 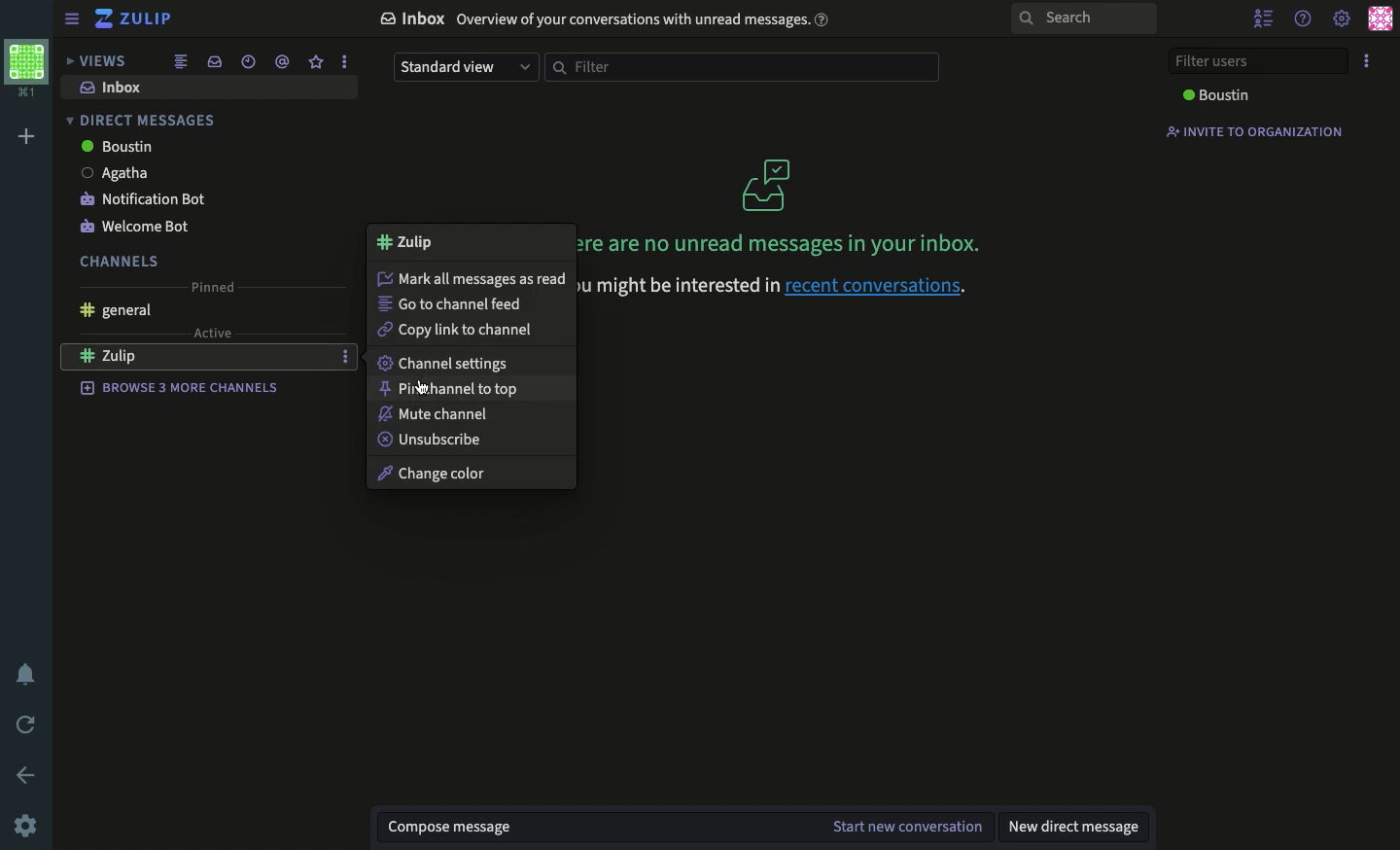 What do you see at coordinates (1219, 95) in the screenshot?
I see `Boustin` at bounding box center [1219, 95].